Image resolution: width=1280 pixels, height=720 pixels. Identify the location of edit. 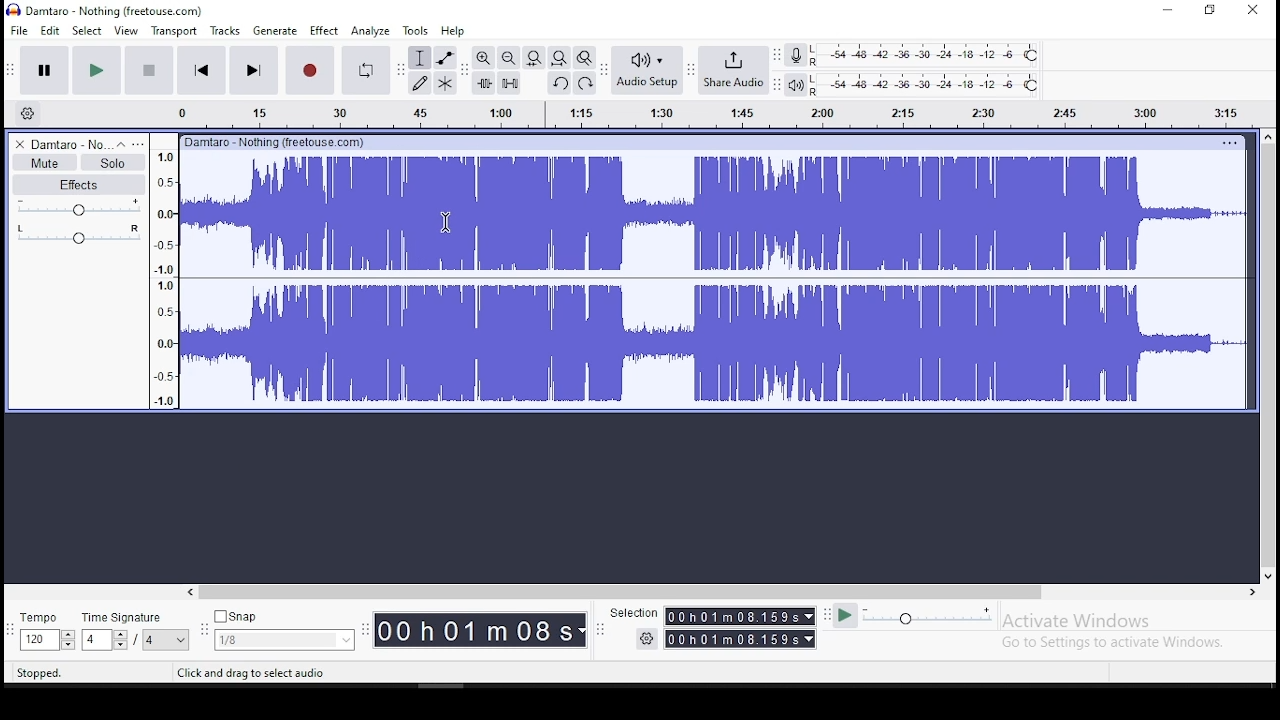
(52, 30).